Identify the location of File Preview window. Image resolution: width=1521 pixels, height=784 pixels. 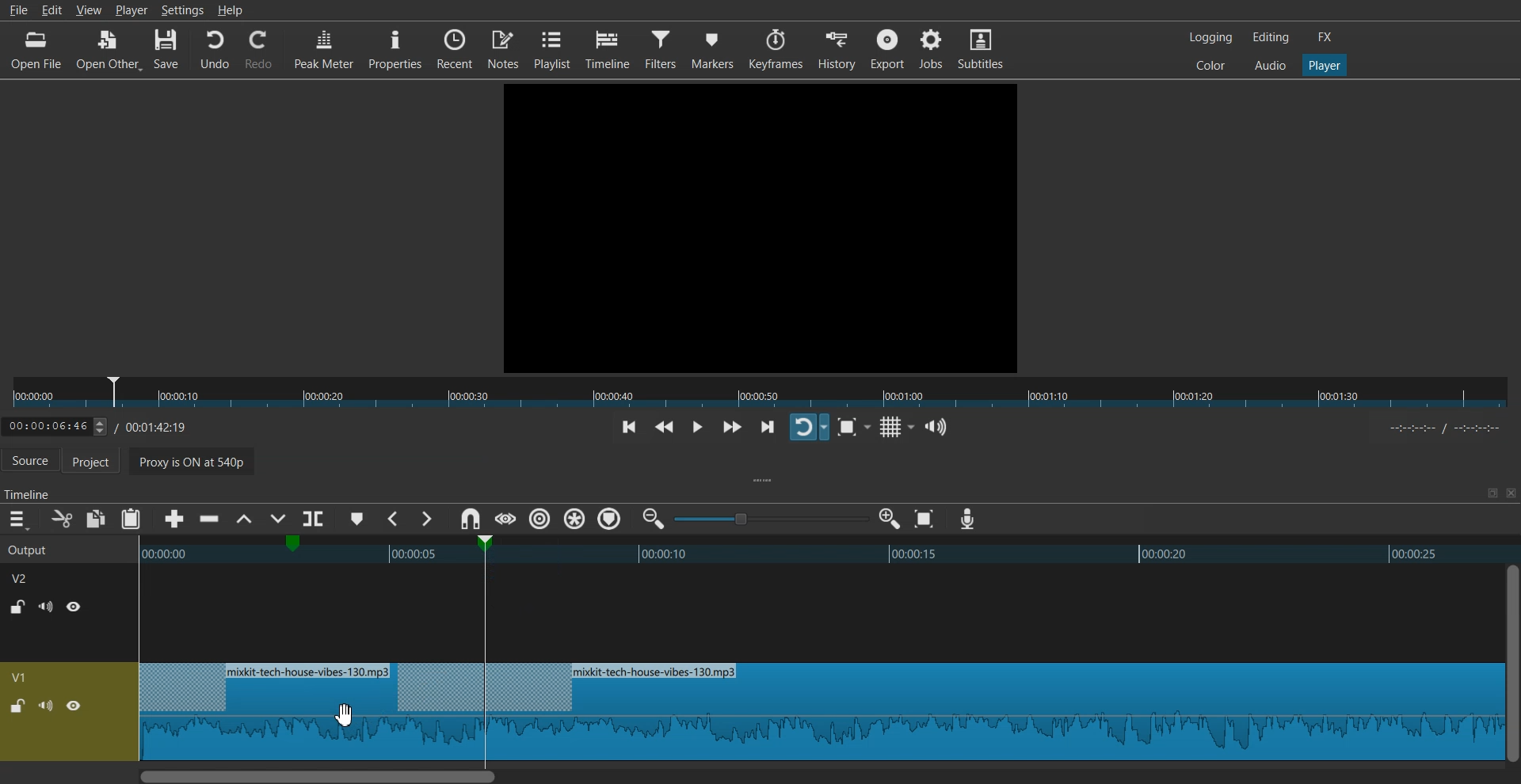
(764, 226).